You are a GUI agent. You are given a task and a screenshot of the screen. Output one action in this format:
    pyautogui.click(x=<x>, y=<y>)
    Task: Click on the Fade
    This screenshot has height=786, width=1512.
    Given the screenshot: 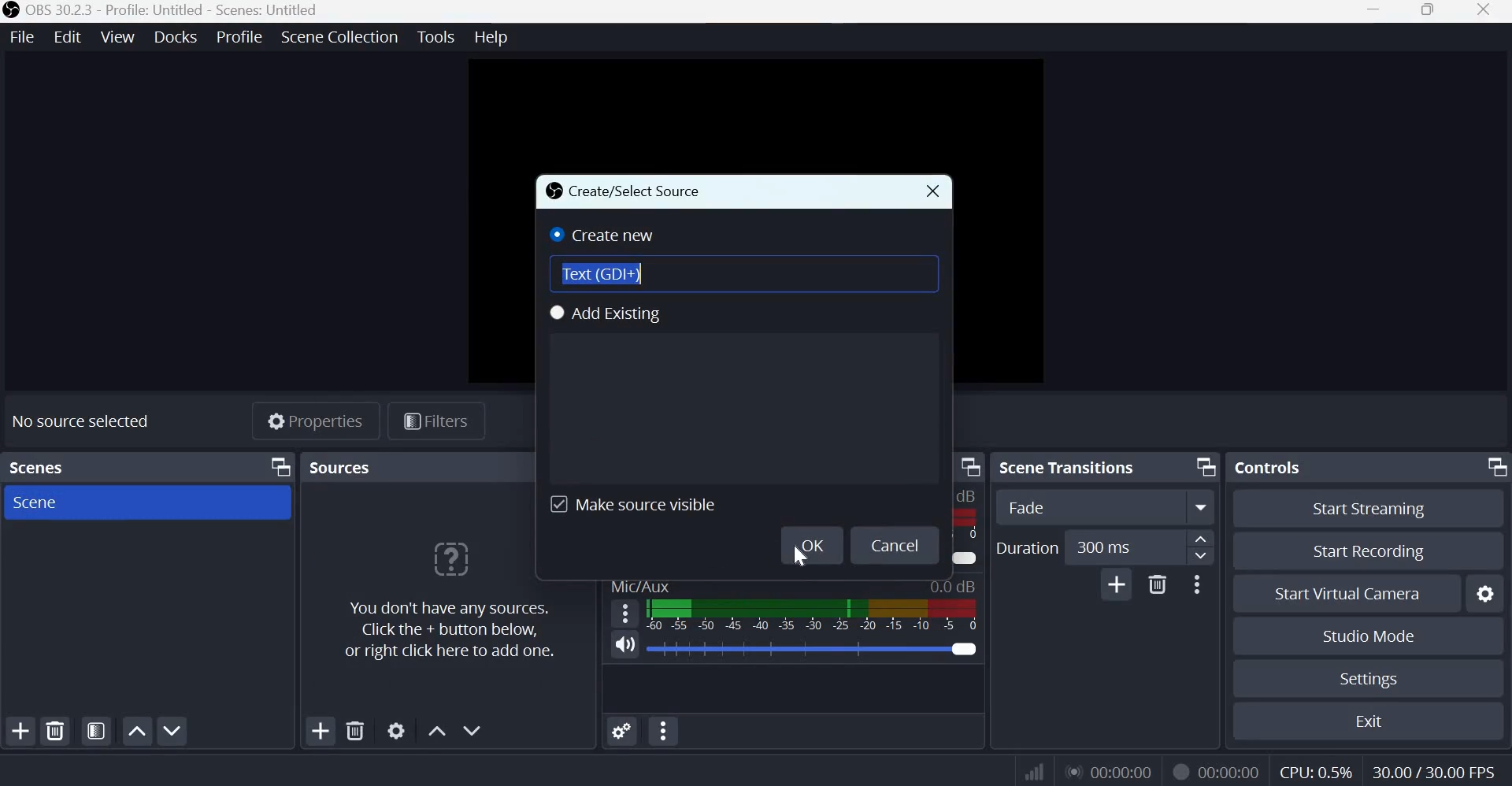 What is the action you would take?
    pyautogui.click(x=1074, y=506)
    